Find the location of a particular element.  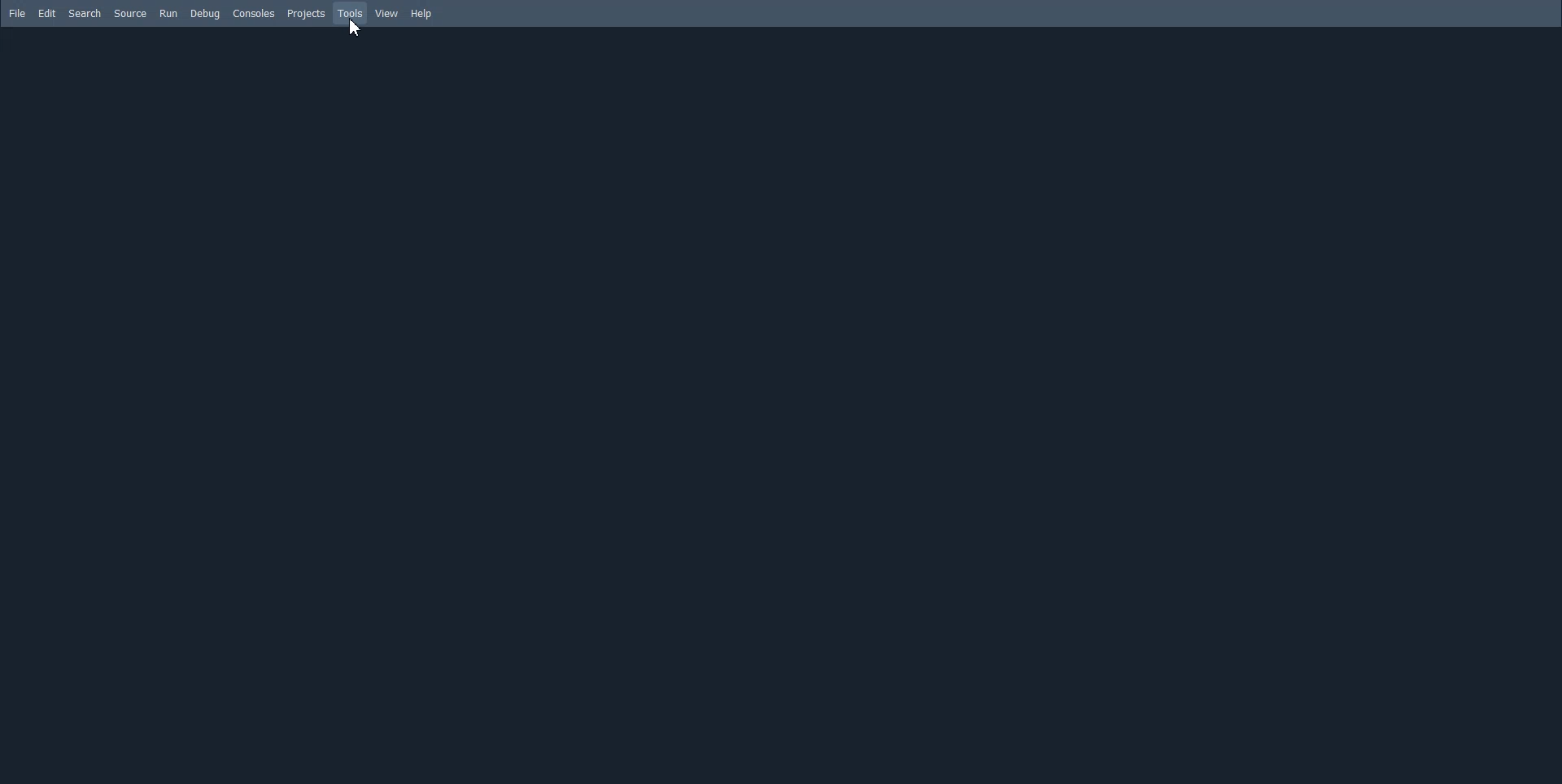

Projects is located at coordinates (305, 14).